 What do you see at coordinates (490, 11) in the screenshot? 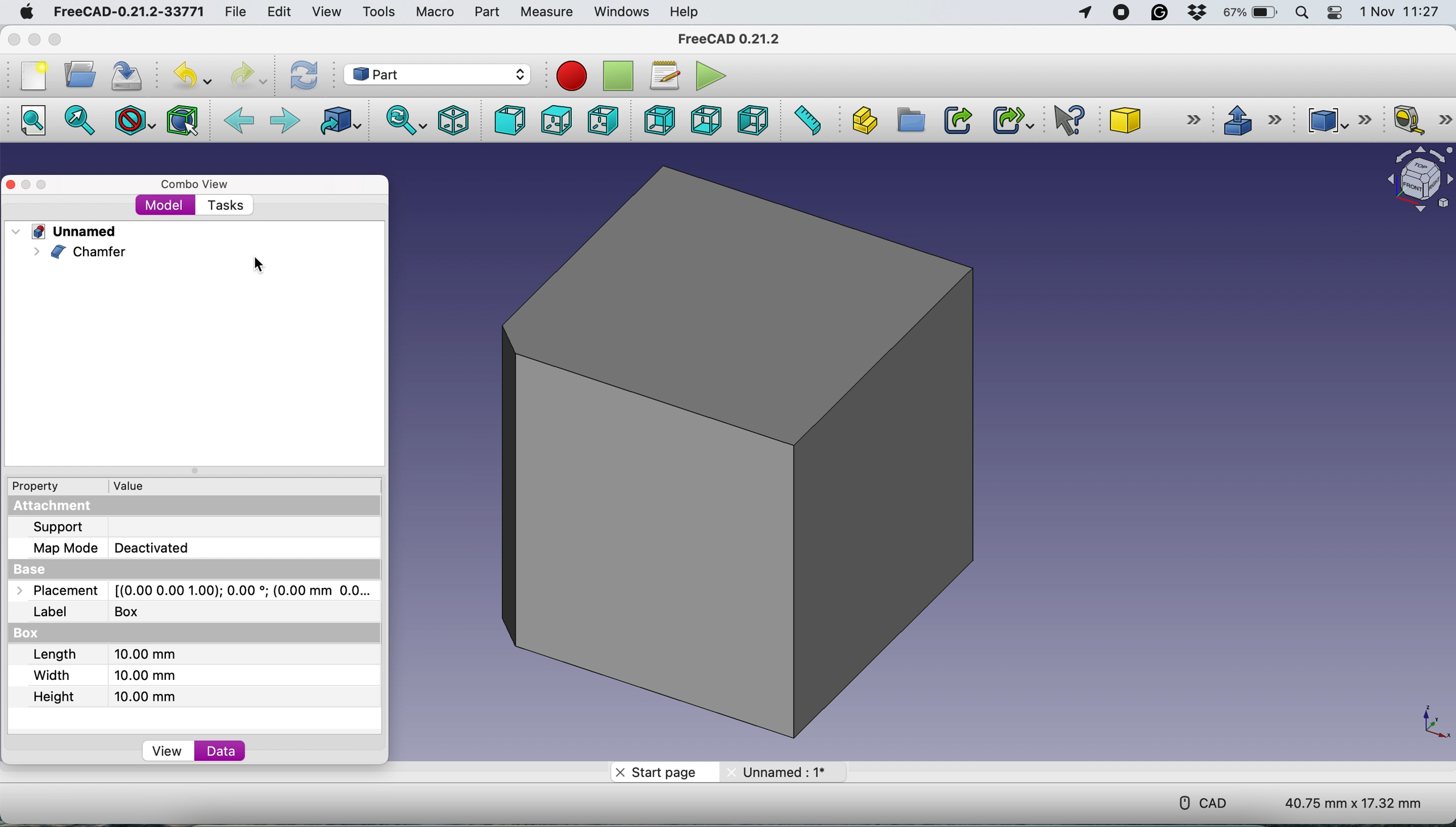
I see `part` at bounding box center [490, 11].